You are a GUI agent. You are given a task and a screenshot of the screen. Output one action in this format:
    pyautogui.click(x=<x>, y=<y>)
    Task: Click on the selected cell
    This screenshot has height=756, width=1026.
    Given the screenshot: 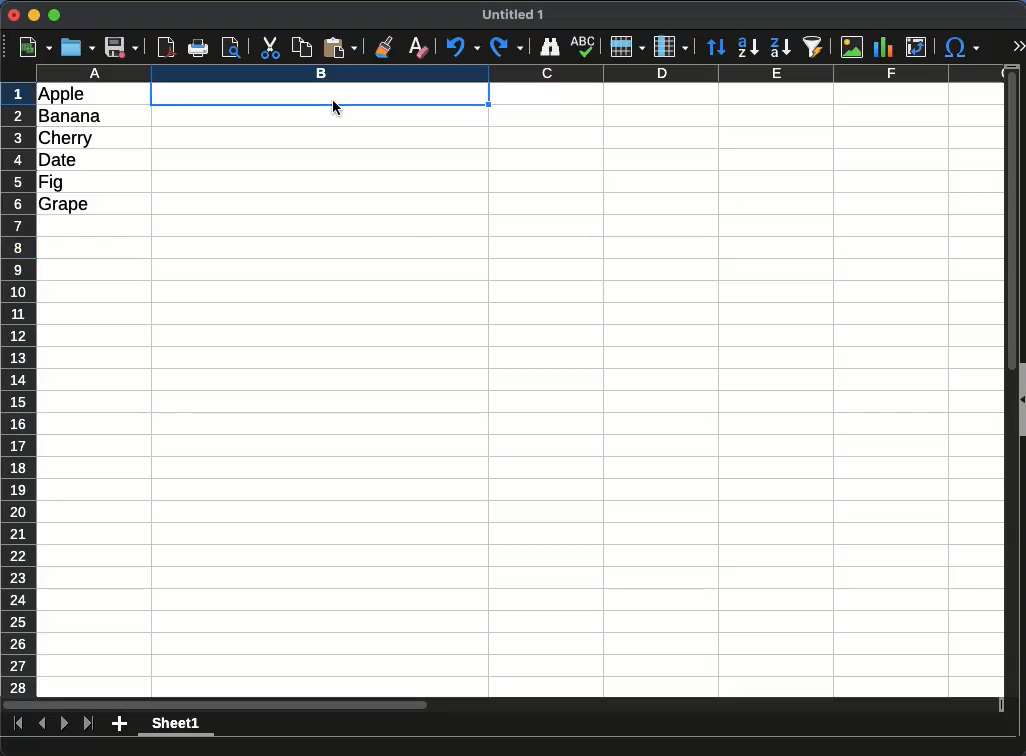 What is the action you would take?
    pyautogui.click(x=320, y=94)
    